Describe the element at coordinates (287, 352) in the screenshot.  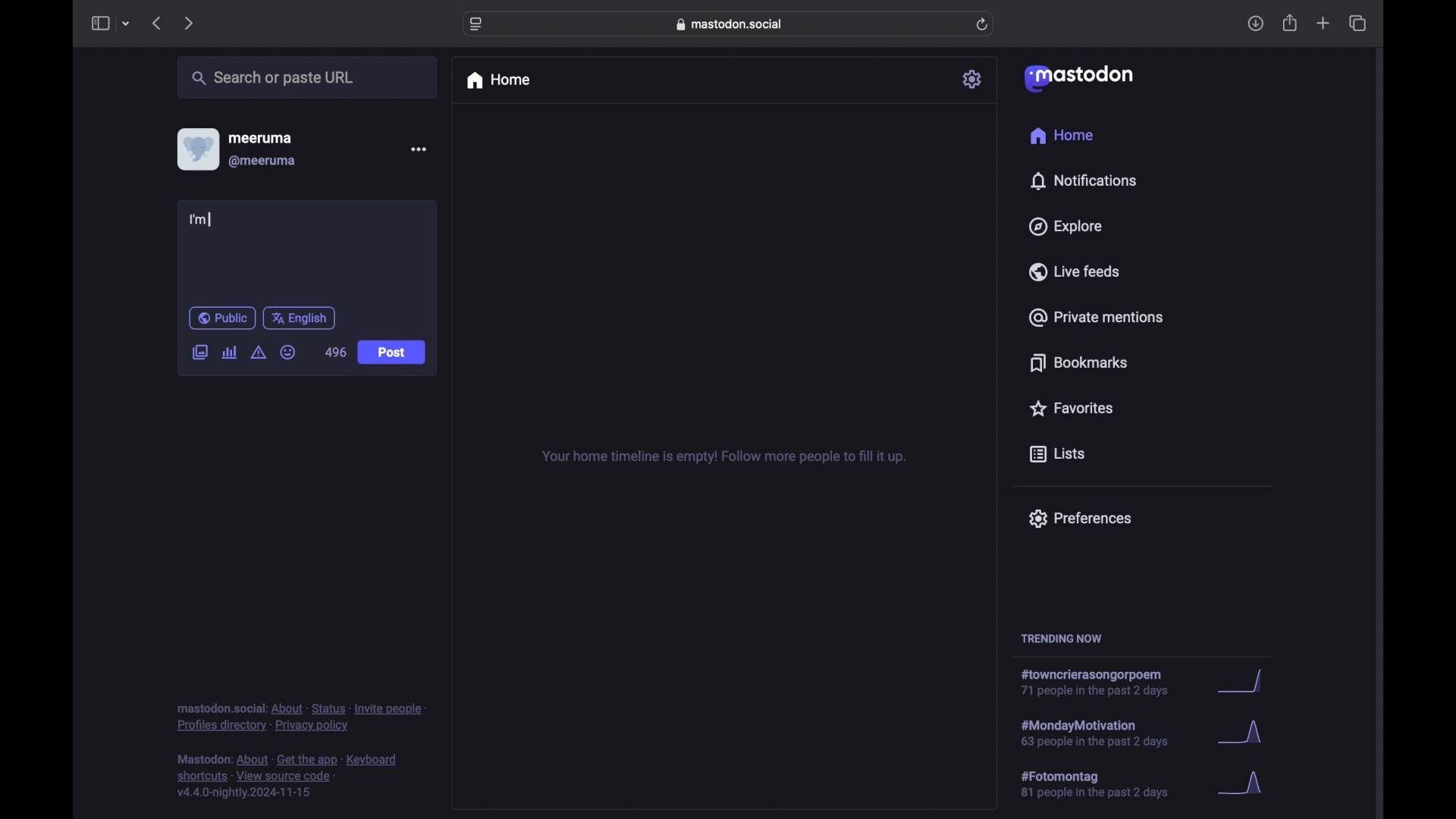
I see `emoji` at that location.